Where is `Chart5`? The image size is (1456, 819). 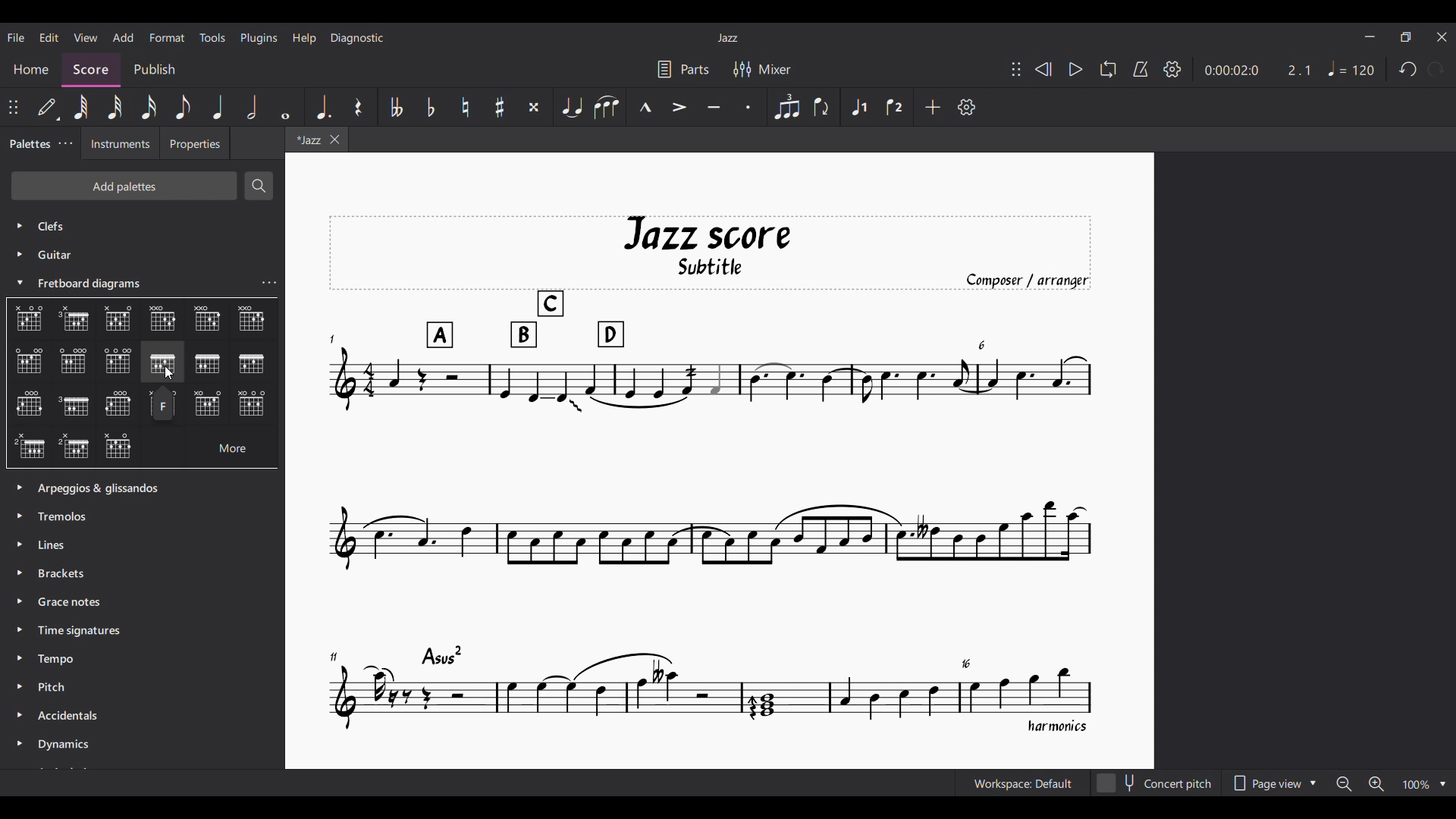 Chart5 is located at coordinates (252, 319).